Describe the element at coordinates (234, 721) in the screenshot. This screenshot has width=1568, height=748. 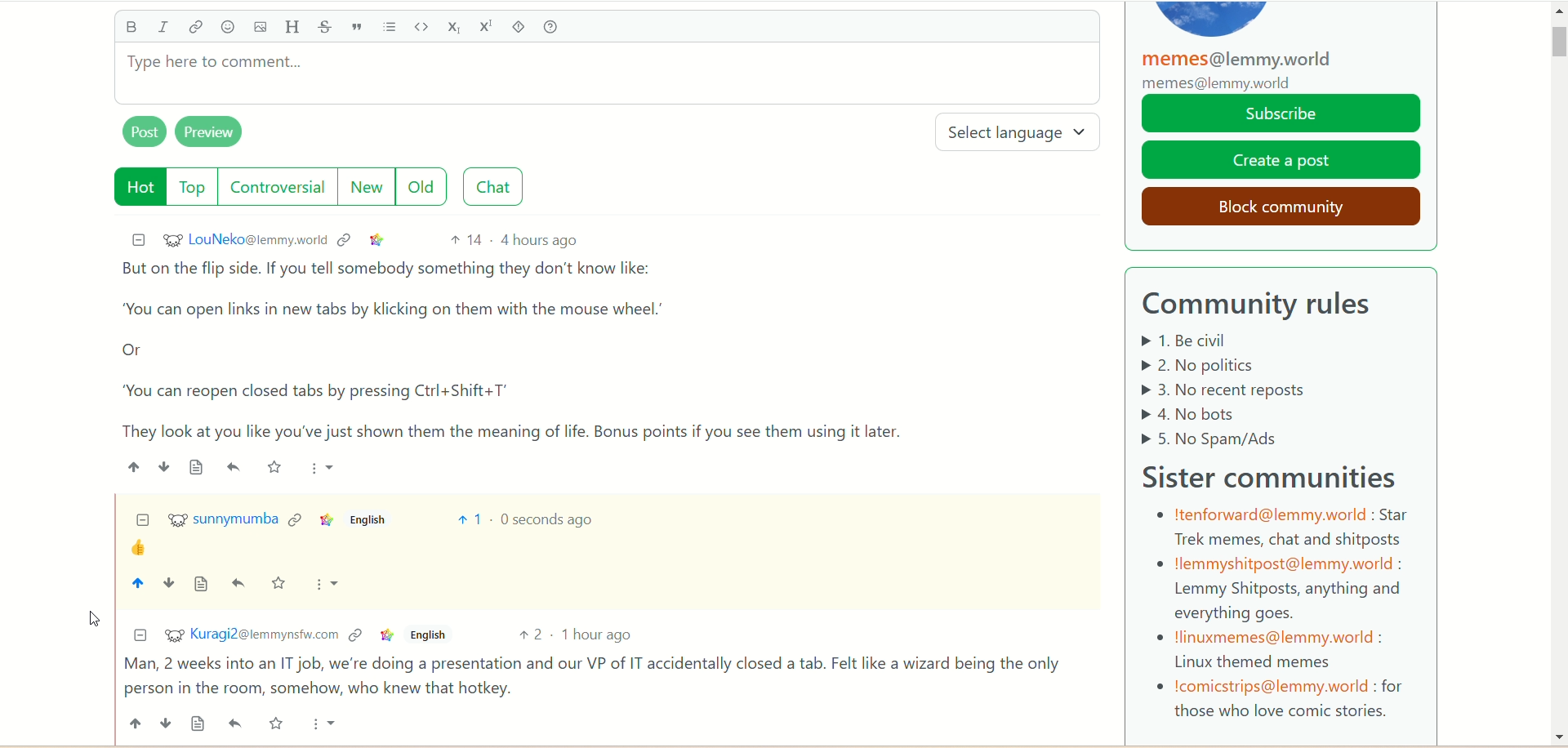
I see `reply` at that location.